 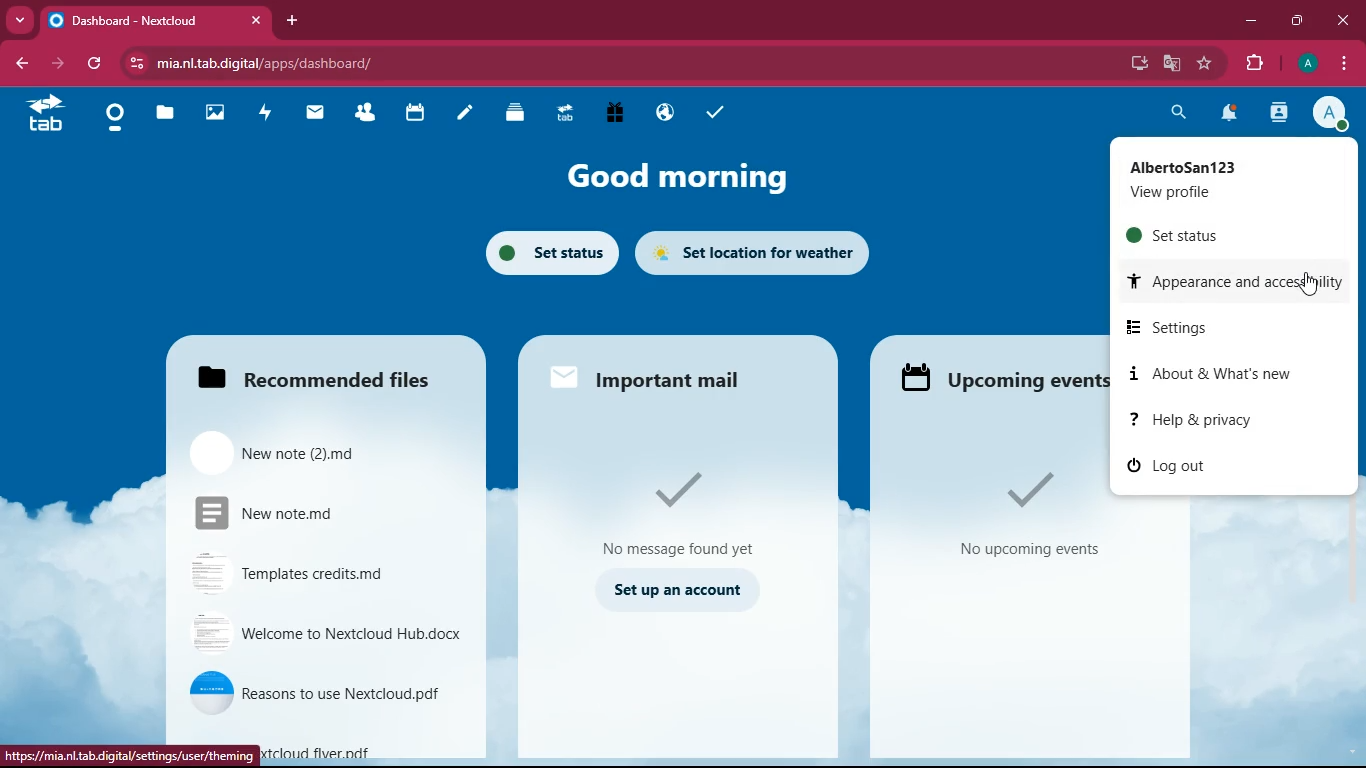 I want to click on close, so click(x=1344, y=21).